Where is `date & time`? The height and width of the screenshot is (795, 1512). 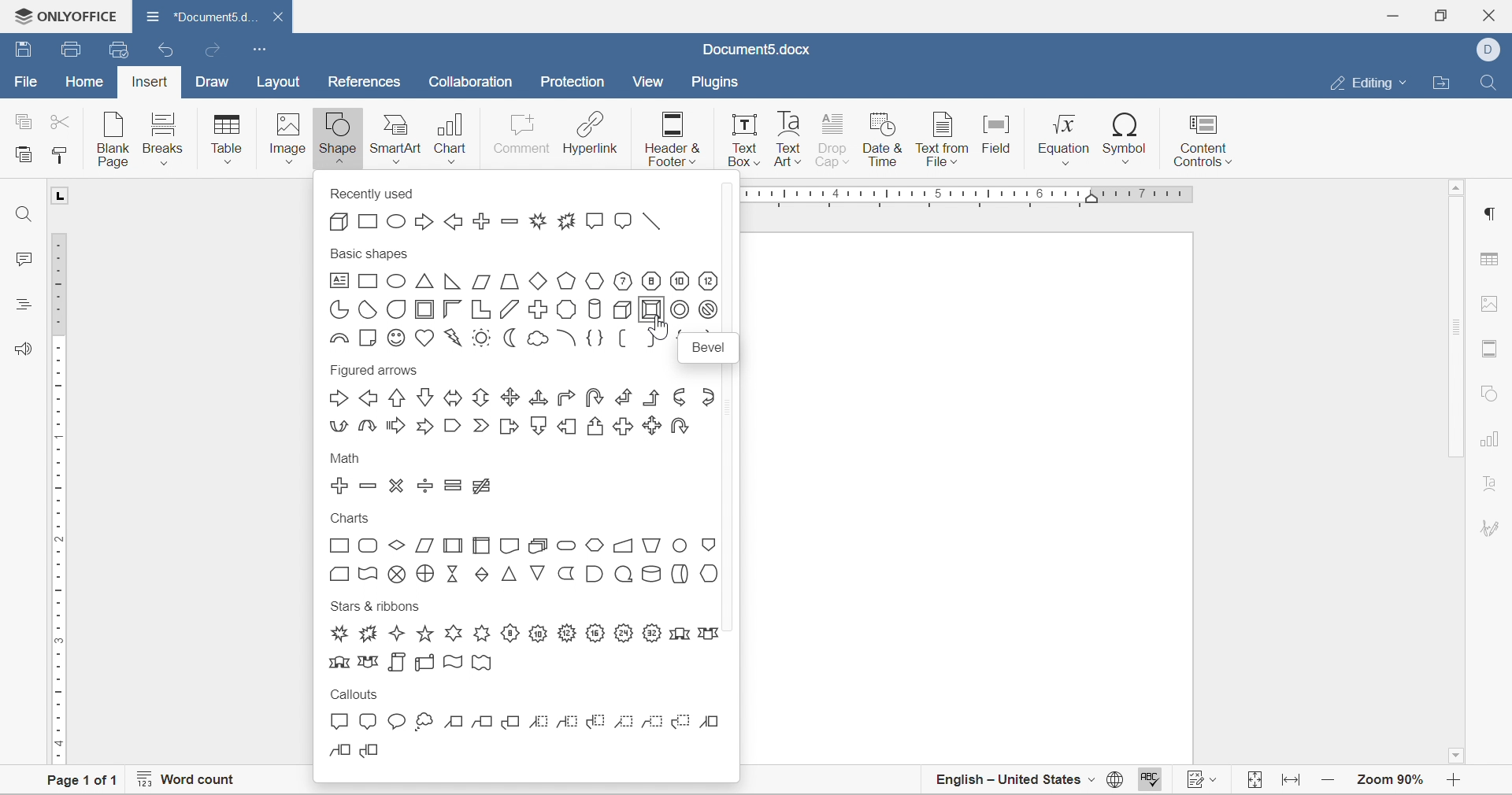 date & time is located at coordinates (884, 138).